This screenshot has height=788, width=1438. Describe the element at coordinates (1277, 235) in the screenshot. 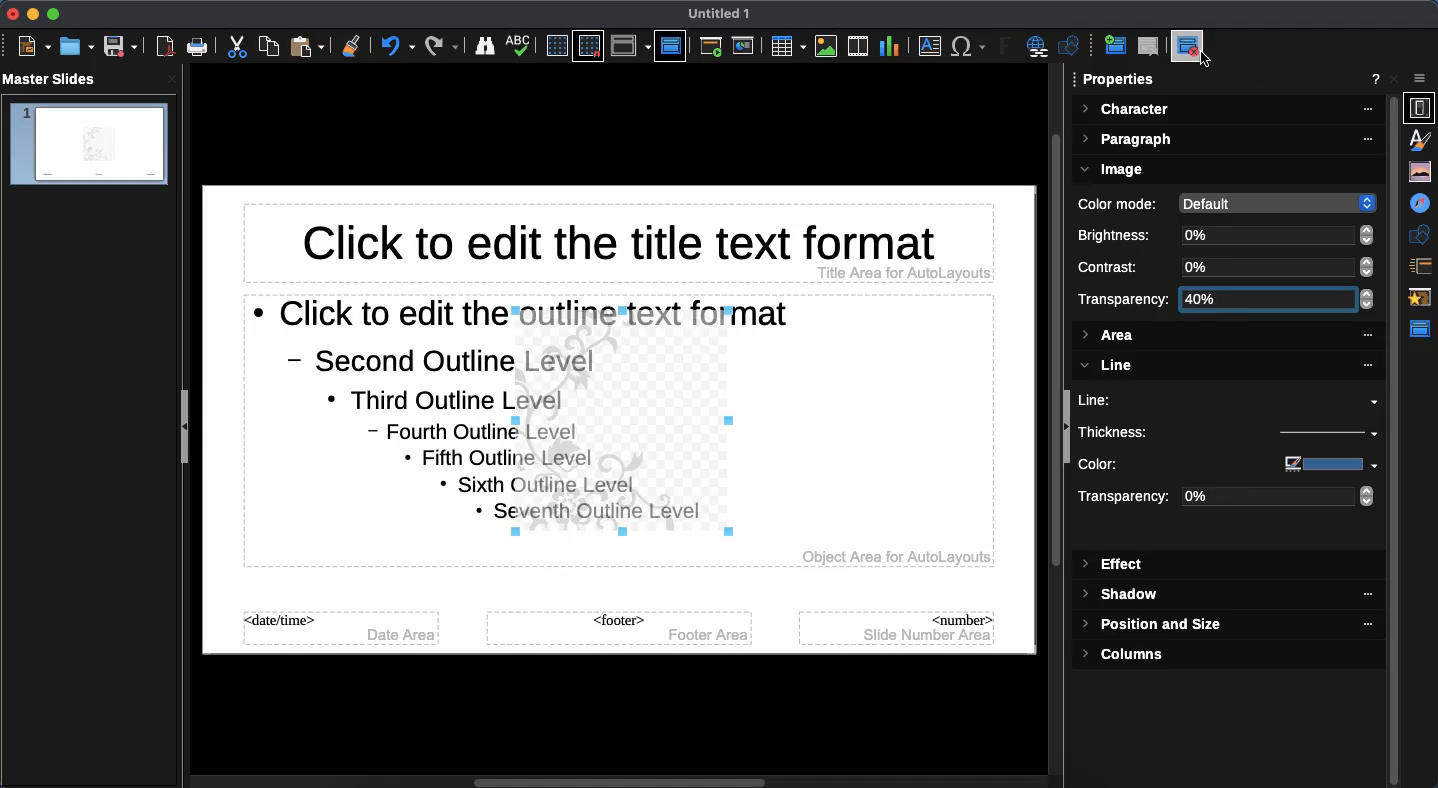

I see `0%` at that location.